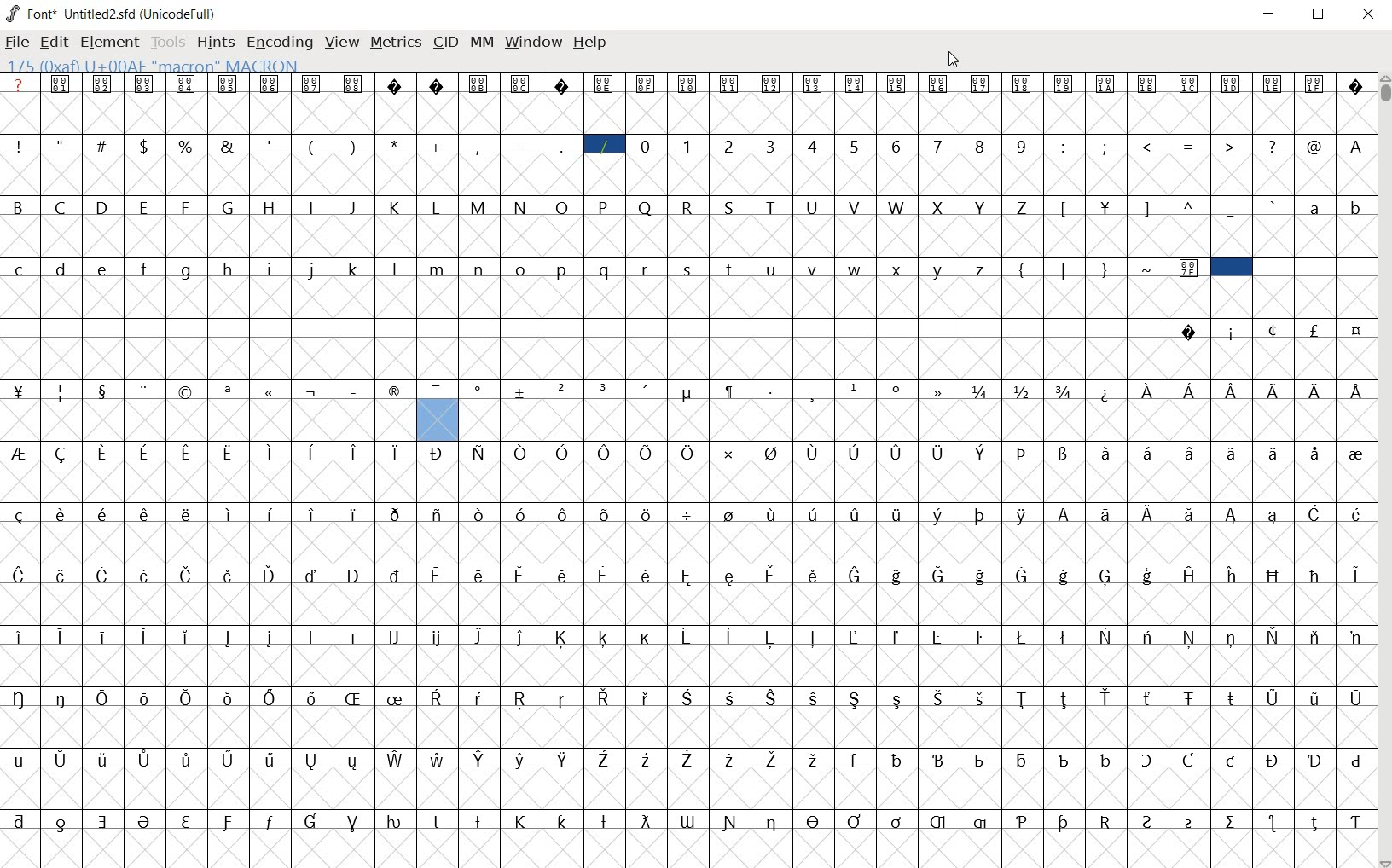 The width and height of the screenshot is (1392, 868). I want to click on #, so click(104, 145).